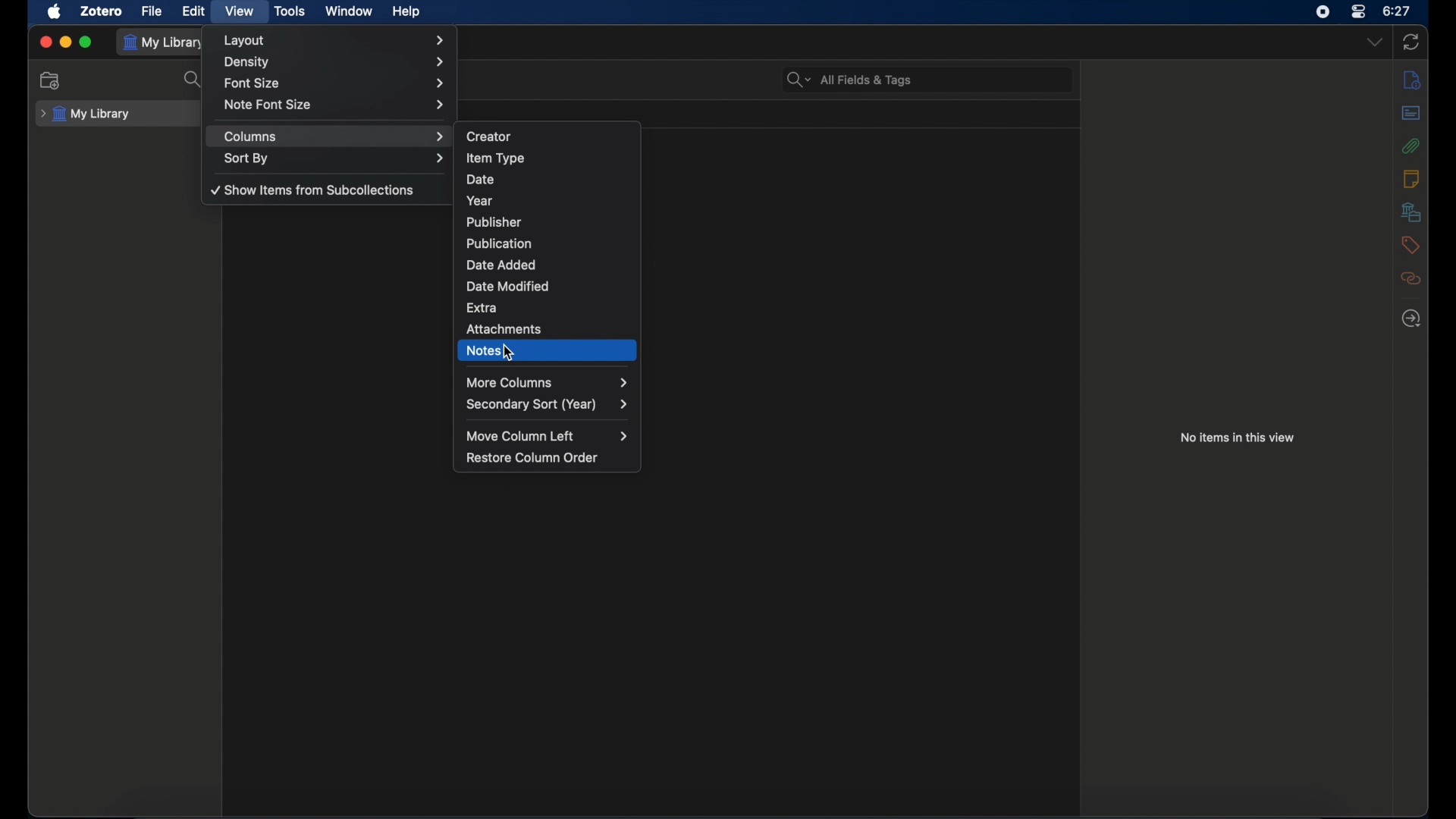 The width and height of the screenshot is (1456, 819). Describe the element at coordinates (406, 11) in the screenshot. I see `help` at that location.